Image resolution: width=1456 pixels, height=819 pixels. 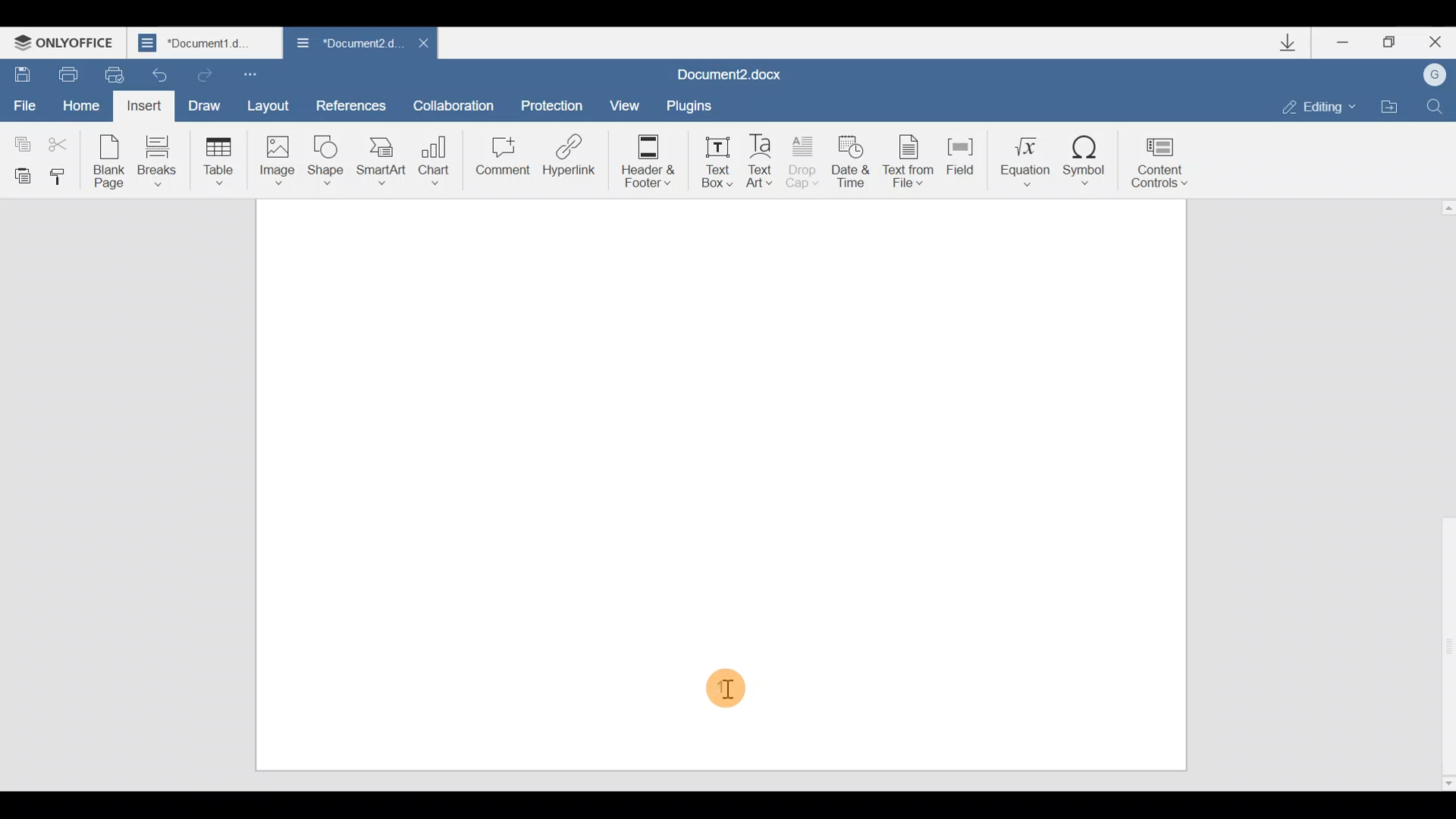 What do you see at coordinates (111, 160) in the screenshot?
I see `Blank page` at bounding box center [111, 160].